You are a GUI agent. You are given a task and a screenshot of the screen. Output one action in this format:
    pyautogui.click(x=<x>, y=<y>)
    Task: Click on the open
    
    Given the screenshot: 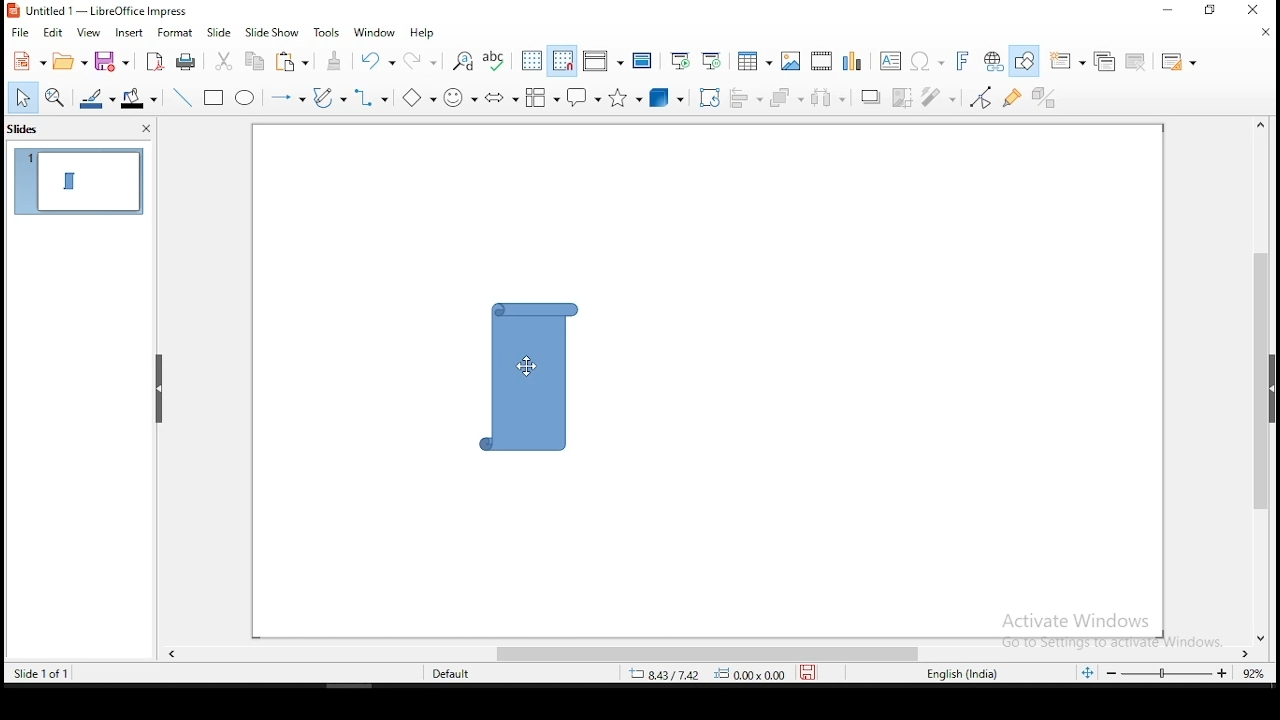 What is the action you would take?
    pyautogui.click(x=67, y=61)
    